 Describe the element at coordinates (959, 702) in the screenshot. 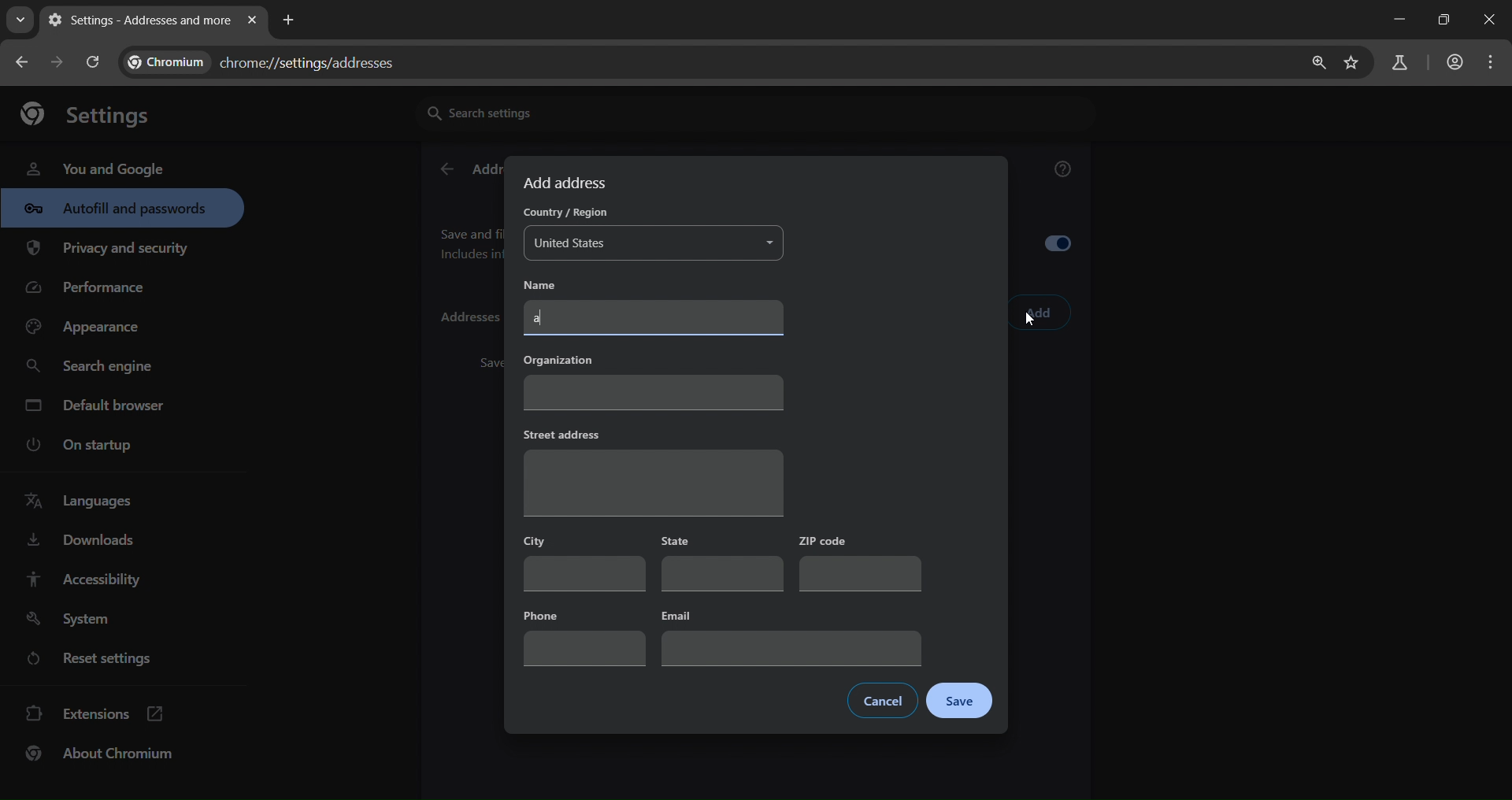

I see `save` at that location.